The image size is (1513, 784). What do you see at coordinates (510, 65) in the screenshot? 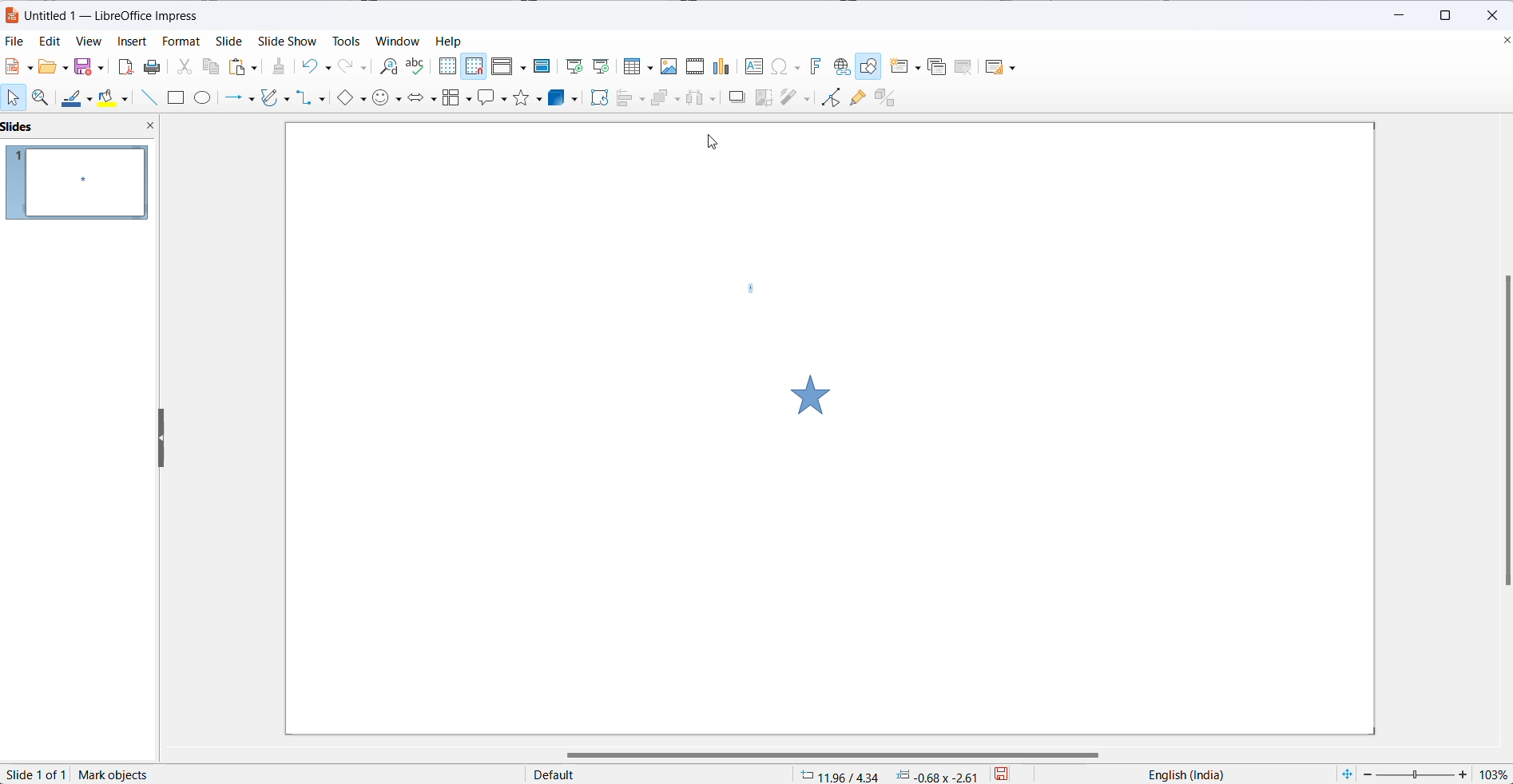
I see `display views` at bounding box center [510, 65].